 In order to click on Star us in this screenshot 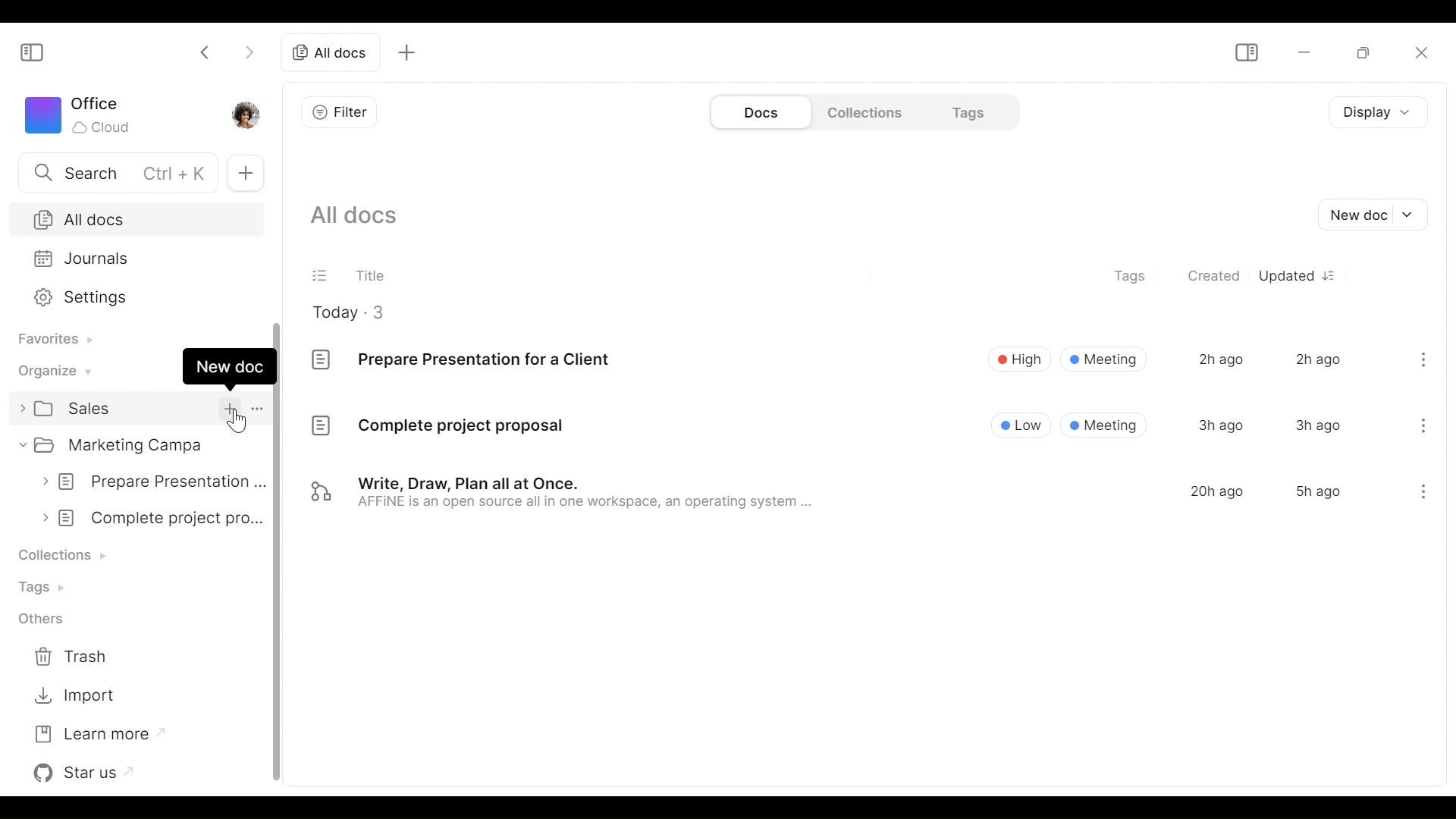, I will do `click(87, 771)`.